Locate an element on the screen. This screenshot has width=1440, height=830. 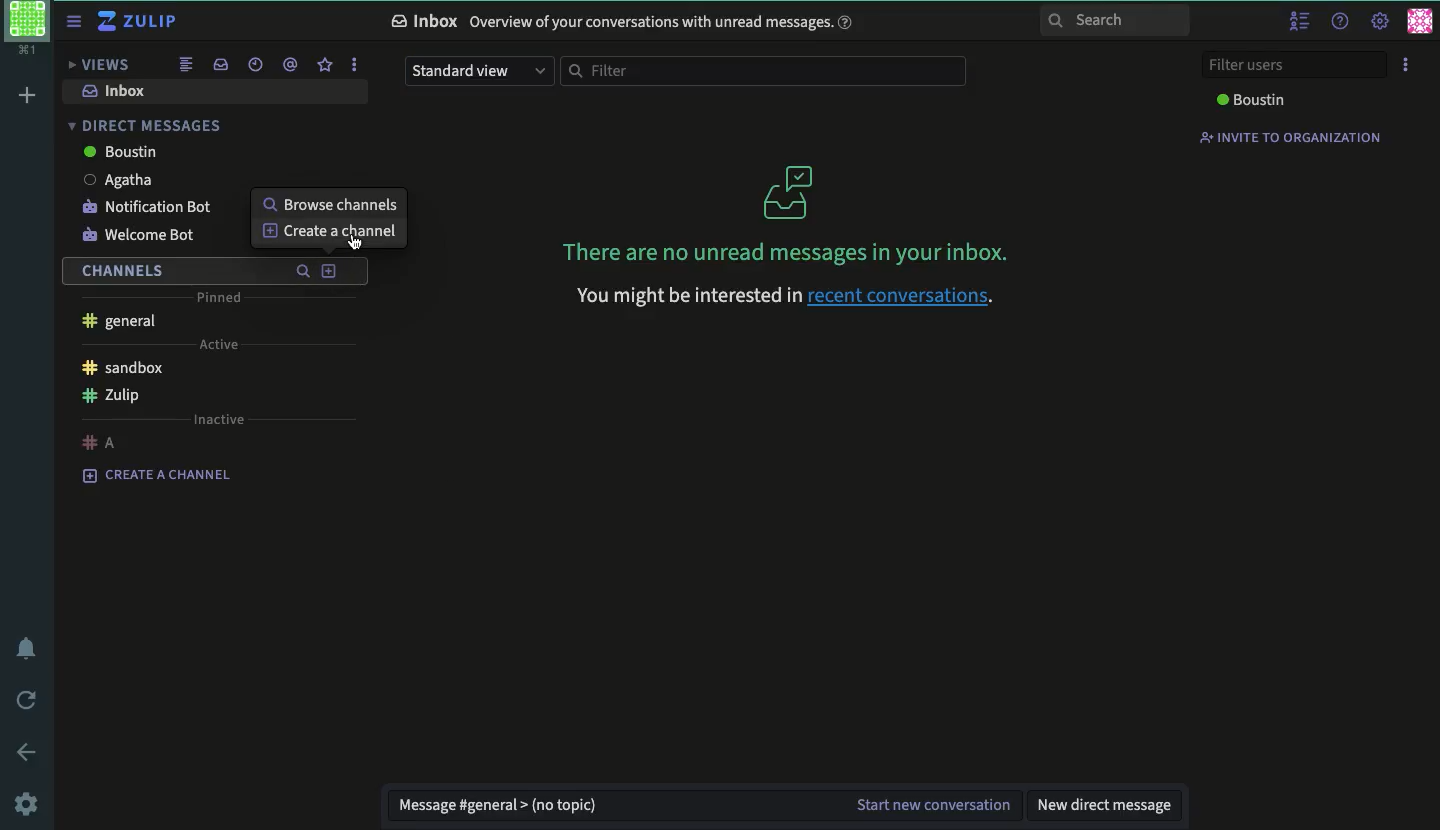
cursor is located at coordinates (358, 245).